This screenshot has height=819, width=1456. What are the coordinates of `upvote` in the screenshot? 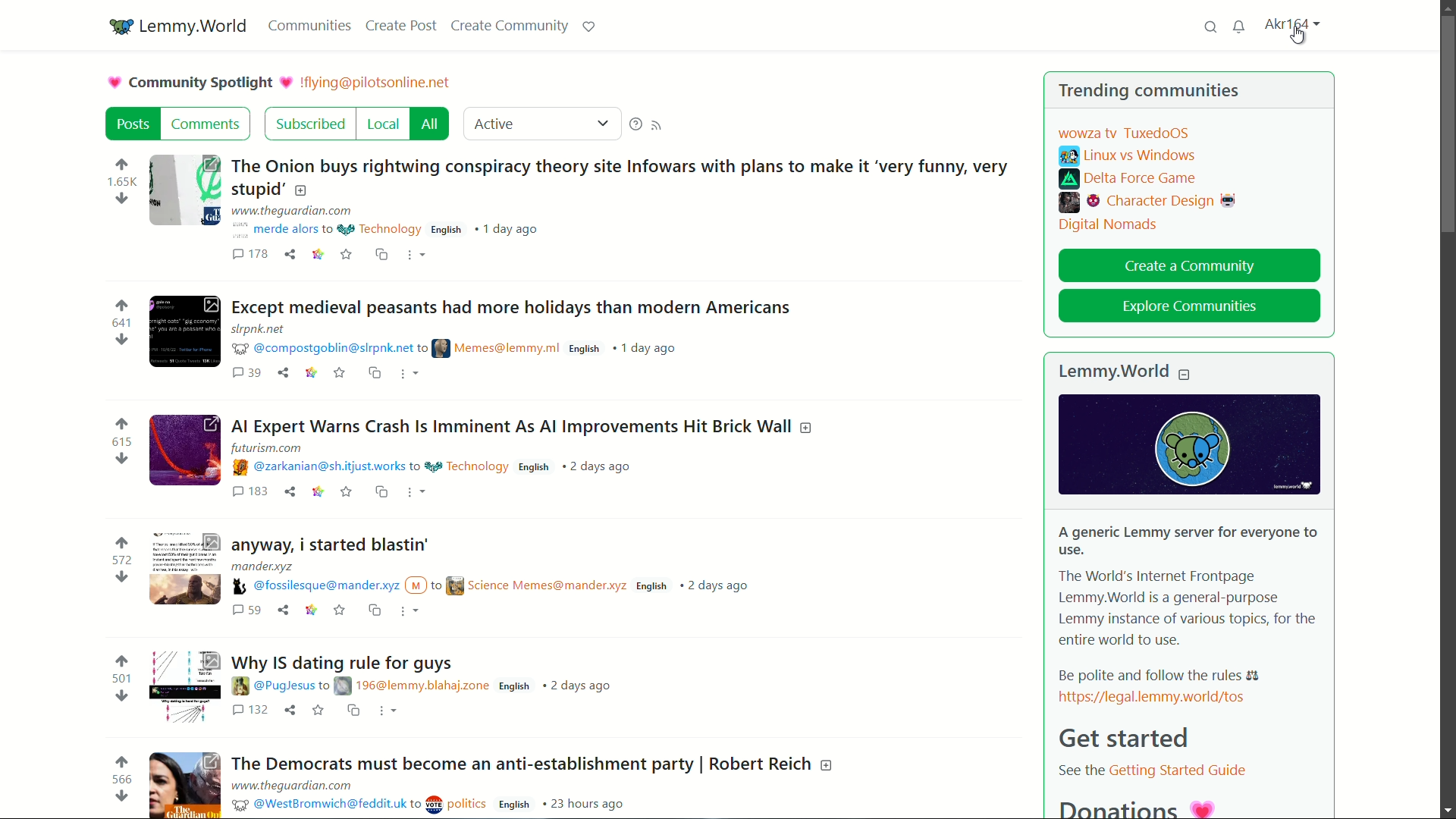 It's located at (124, 424).